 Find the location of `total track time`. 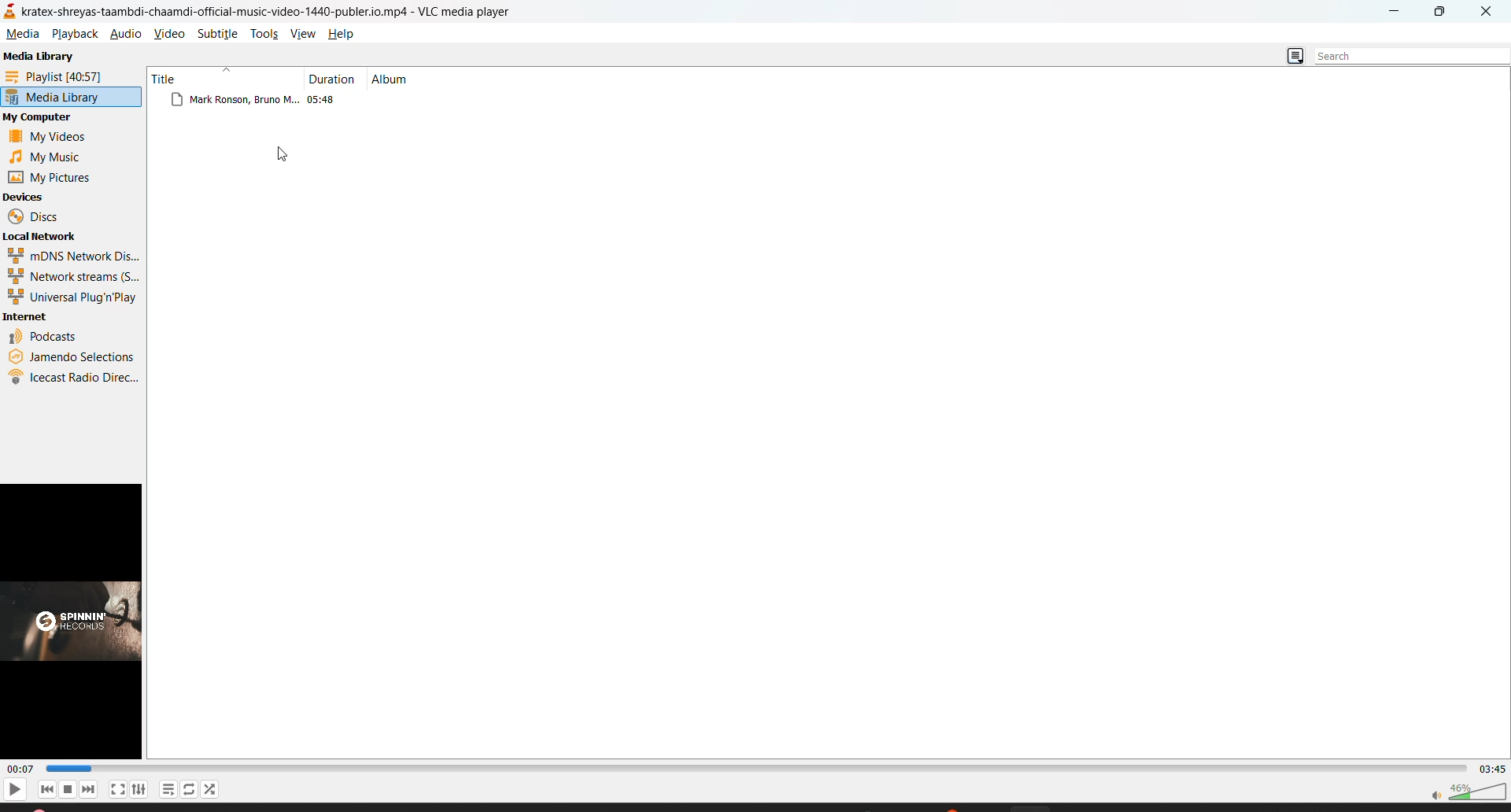

total track time is located at coordinates (1494, 770).